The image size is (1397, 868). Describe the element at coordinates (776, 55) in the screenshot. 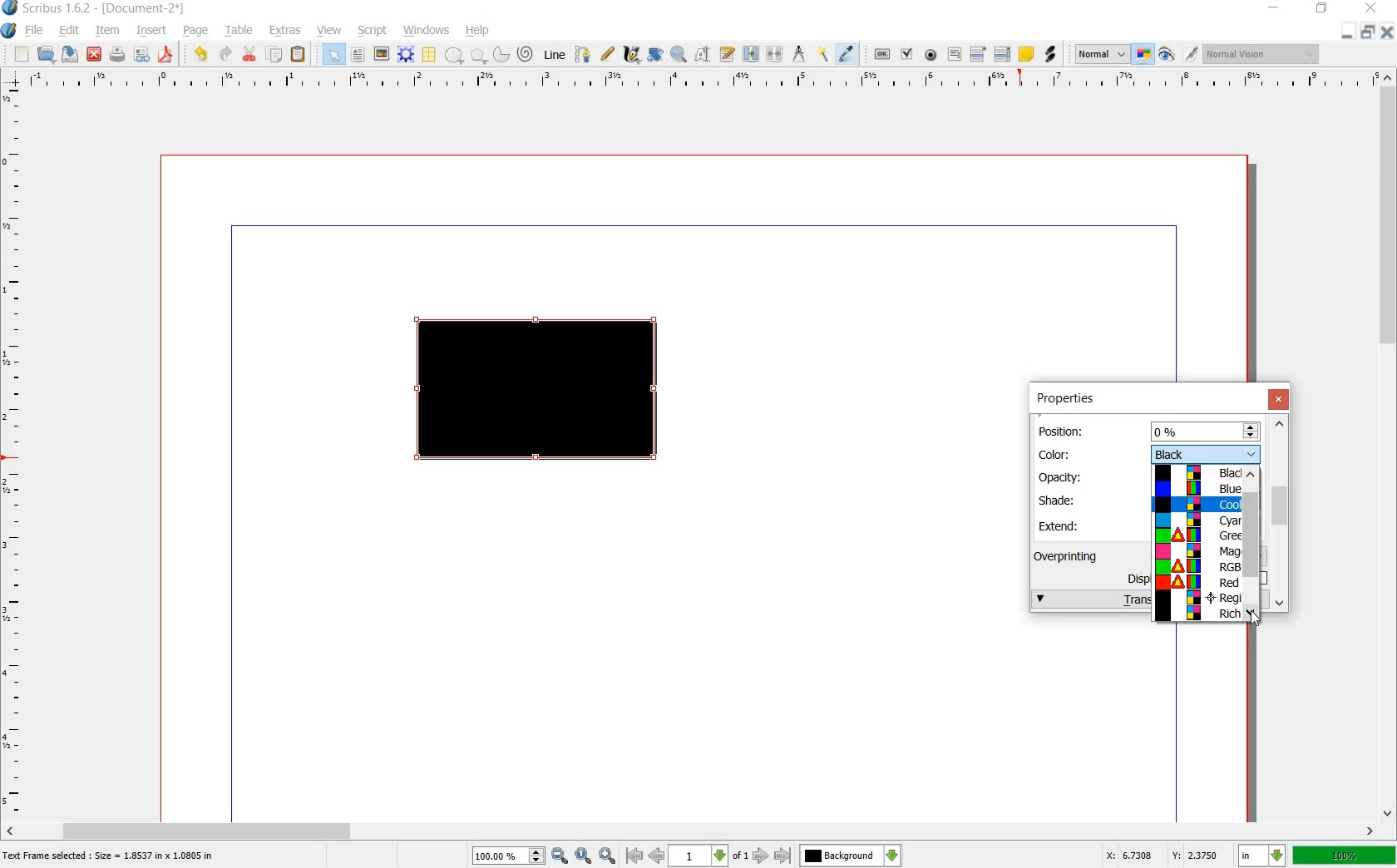

I see `unlink text frame` at that location.